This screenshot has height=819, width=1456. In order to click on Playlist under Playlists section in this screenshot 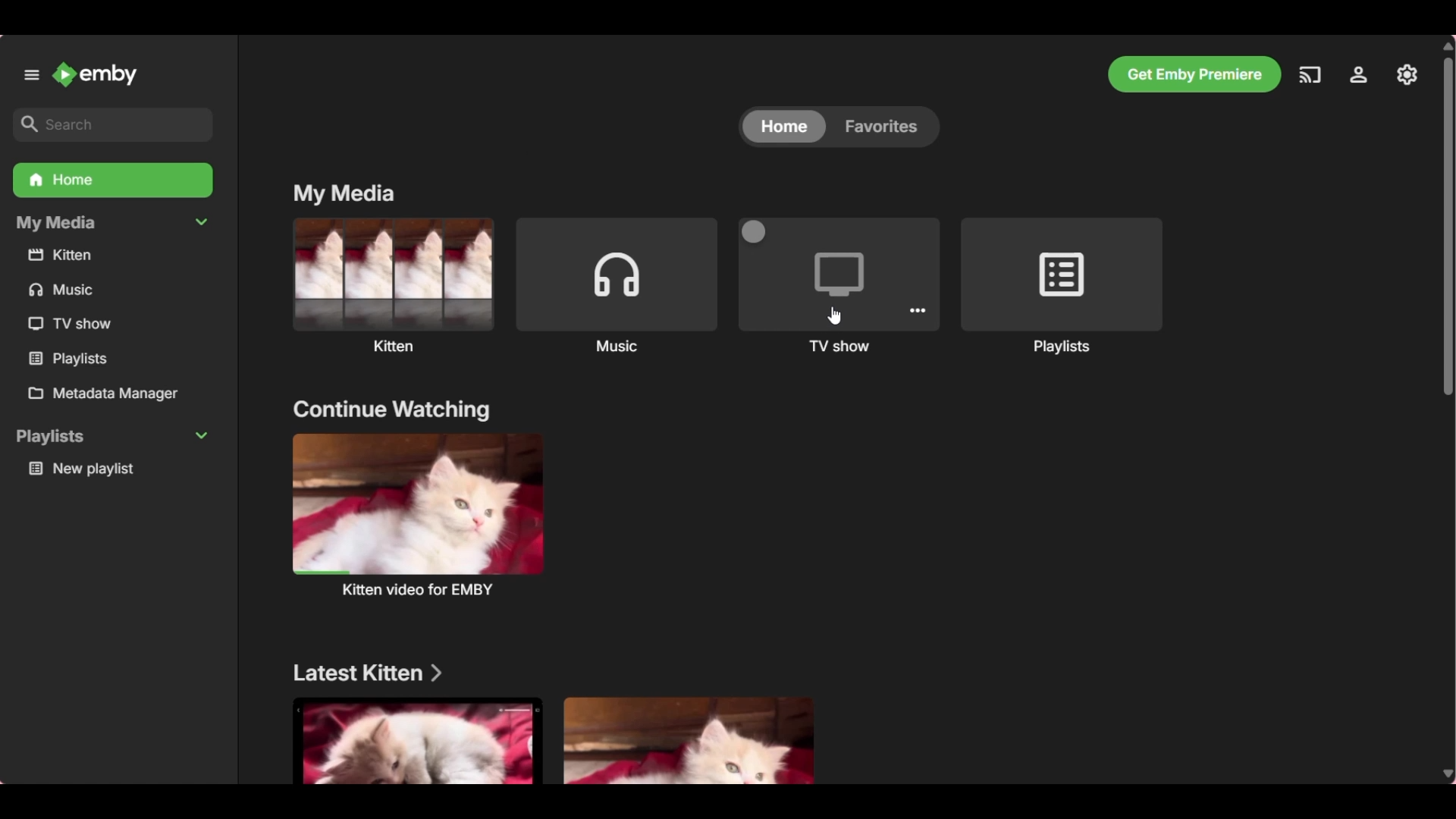, I will do `click(117, 469)`.